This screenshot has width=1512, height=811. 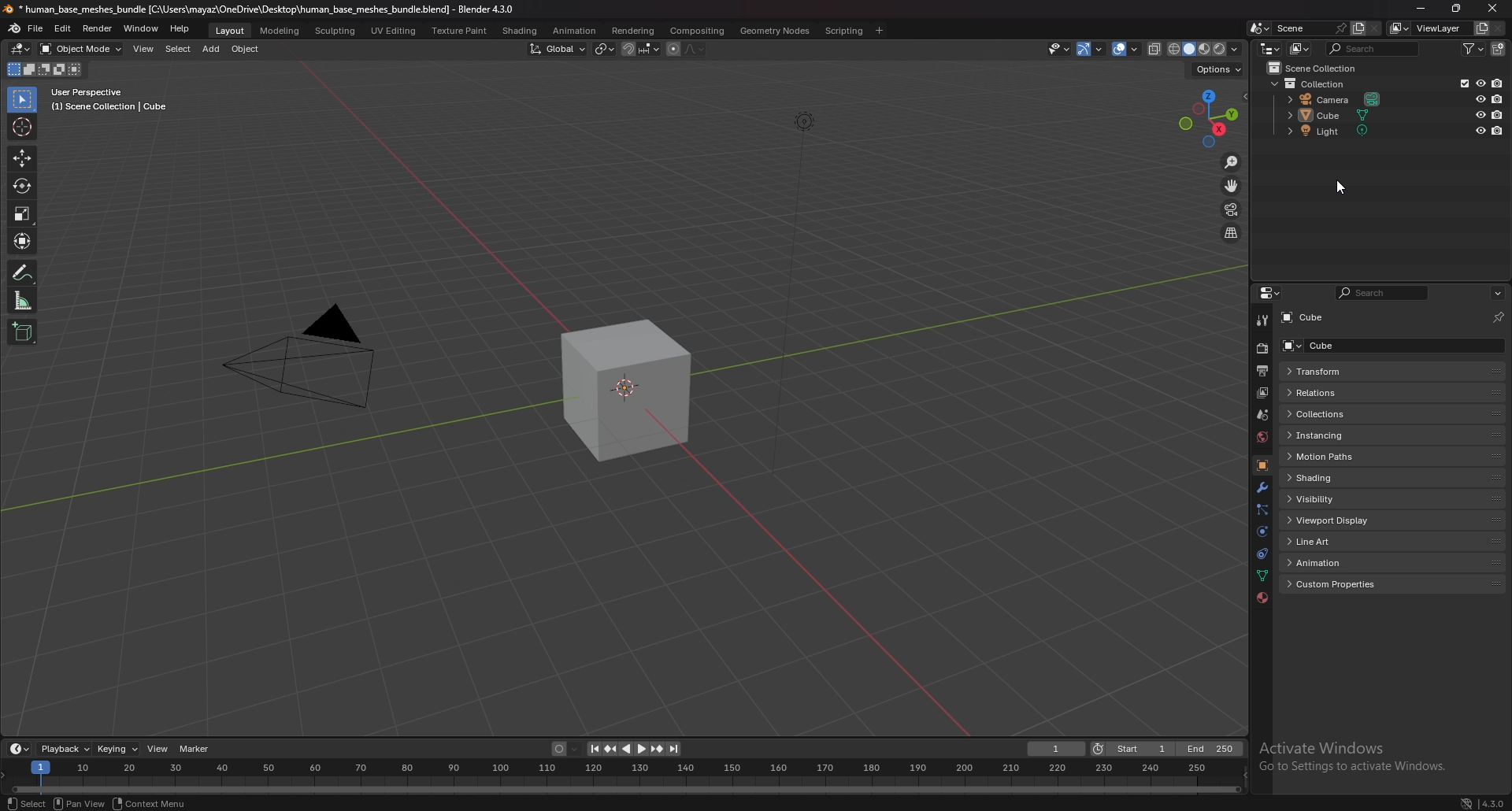 What do you see at coordinates (1131, 749) in the screenshot?
I see `start` at bounding box center [1131, 749].